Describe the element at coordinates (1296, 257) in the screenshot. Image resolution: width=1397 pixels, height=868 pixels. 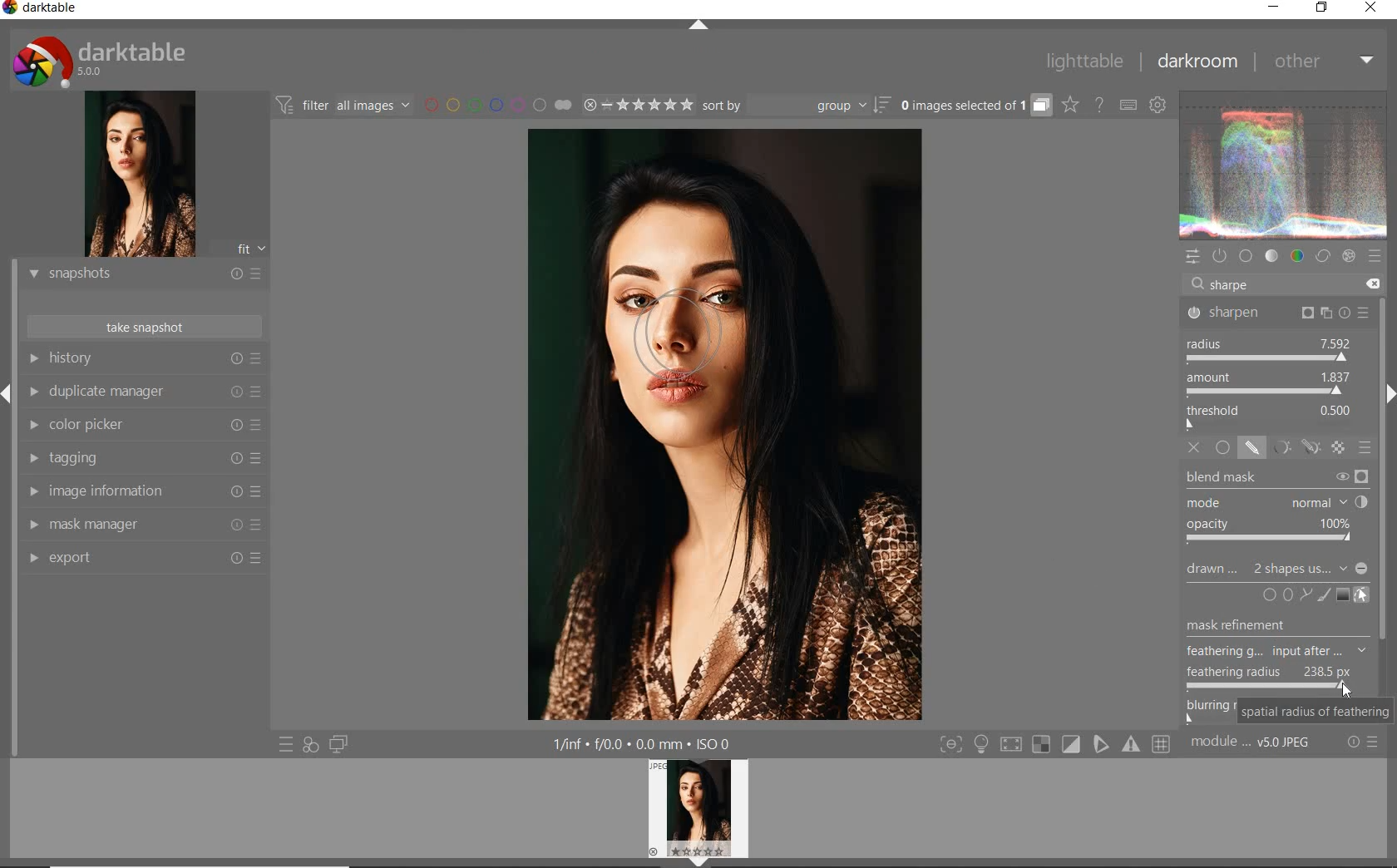
I see `color` at that location.